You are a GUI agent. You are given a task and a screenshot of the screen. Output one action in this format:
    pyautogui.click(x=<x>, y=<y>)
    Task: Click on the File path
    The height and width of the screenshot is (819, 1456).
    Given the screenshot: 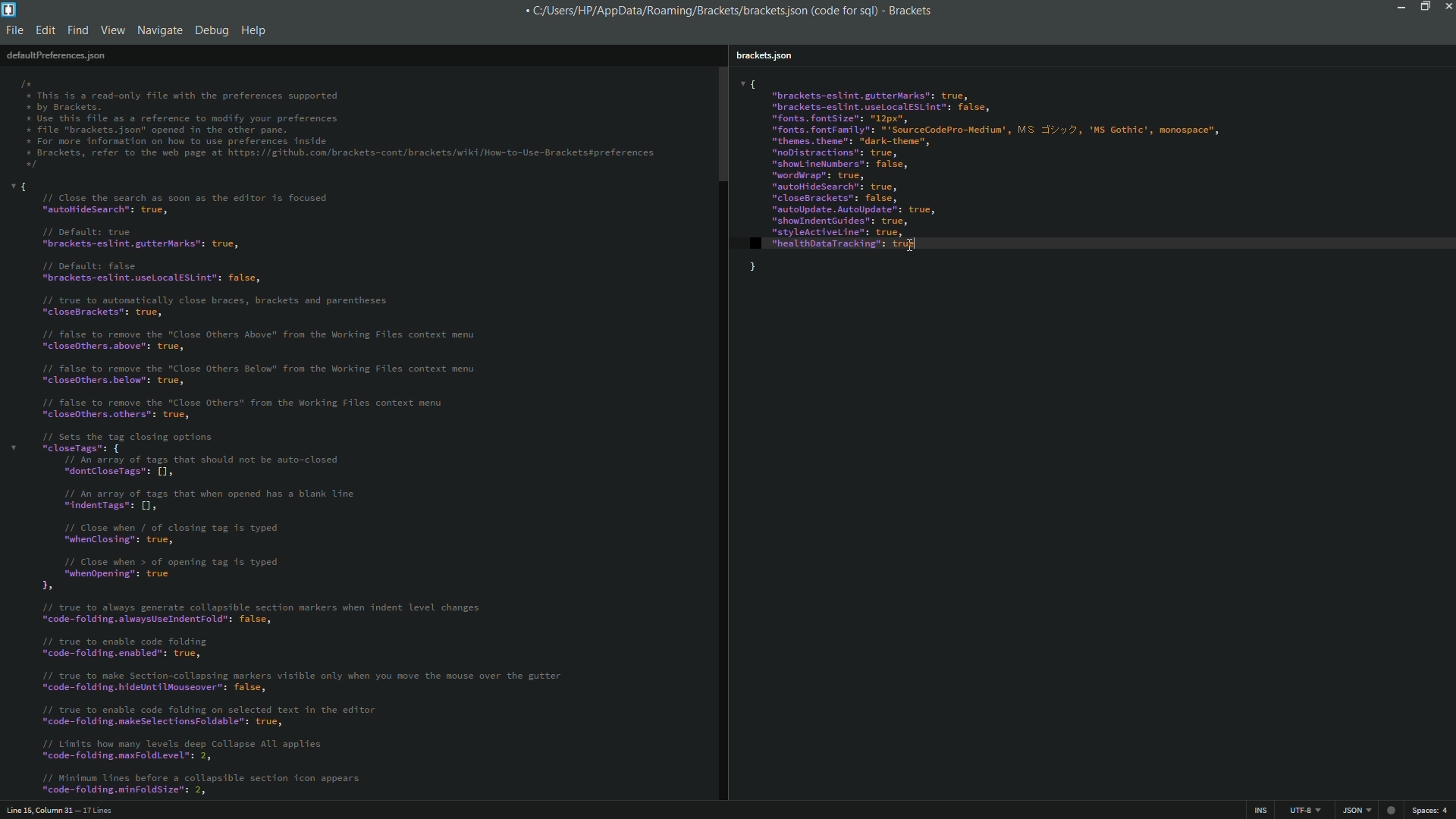 What is the action you would take?
    pyautogui.click(x=697, y=10)
    